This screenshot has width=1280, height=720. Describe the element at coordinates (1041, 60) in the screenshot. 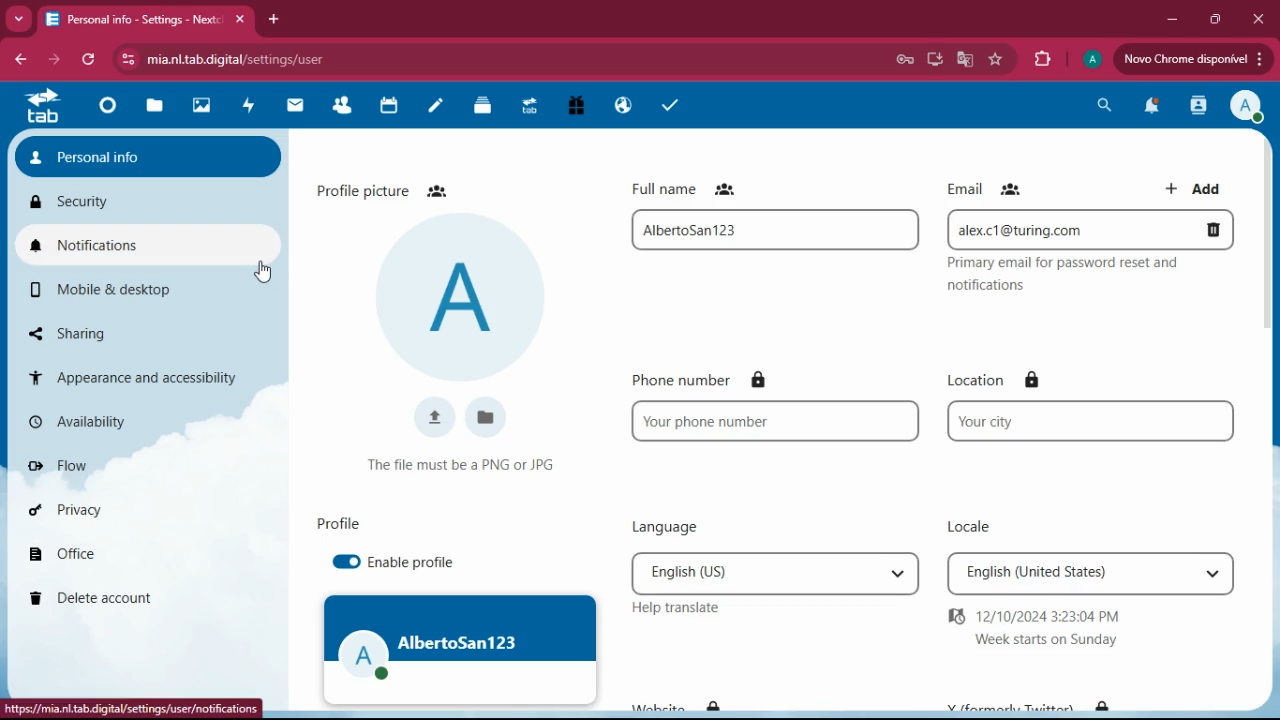

I see `extensions` at that location.